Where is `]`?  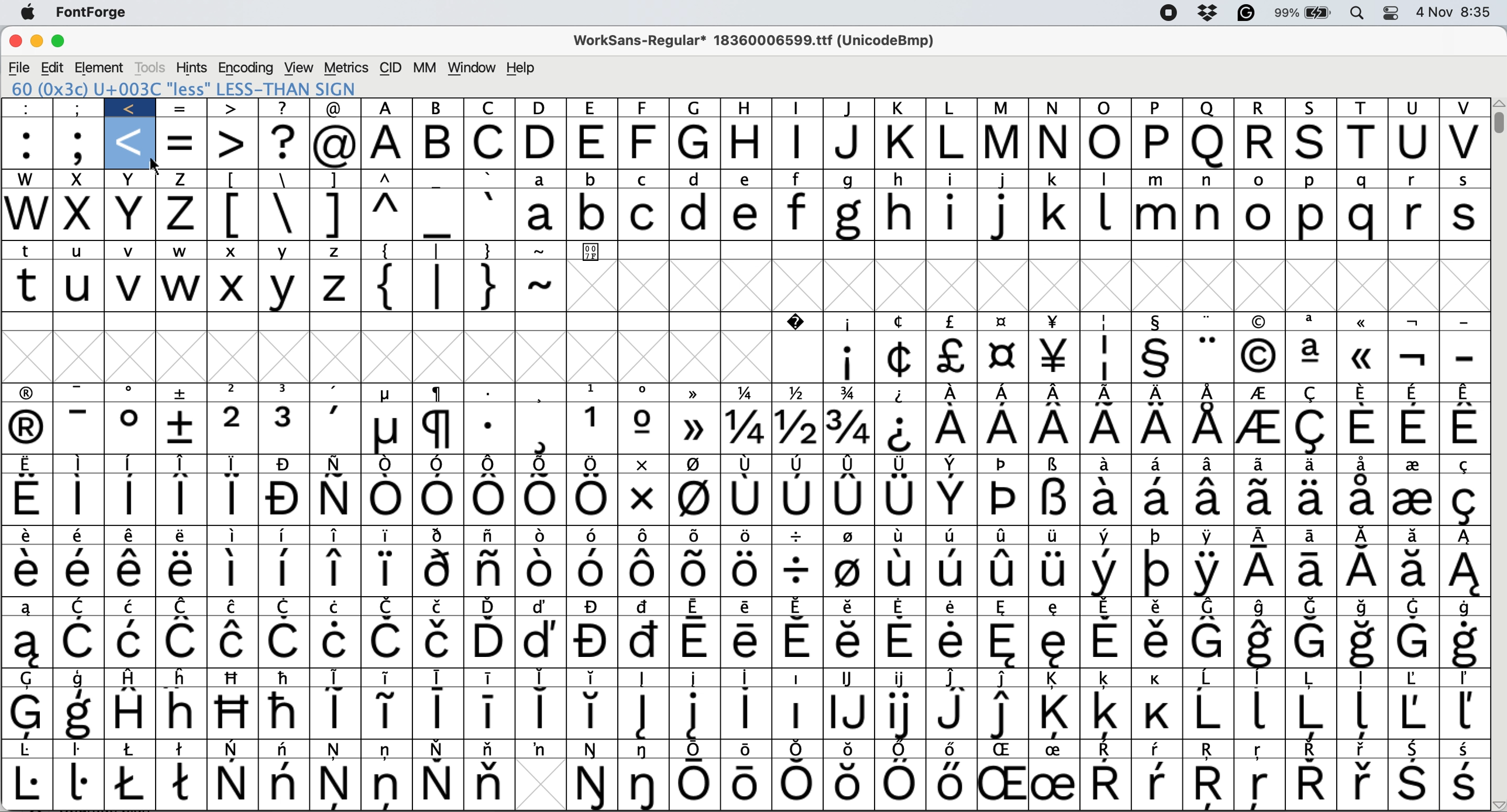 ] is located at coordinates (336, 180).